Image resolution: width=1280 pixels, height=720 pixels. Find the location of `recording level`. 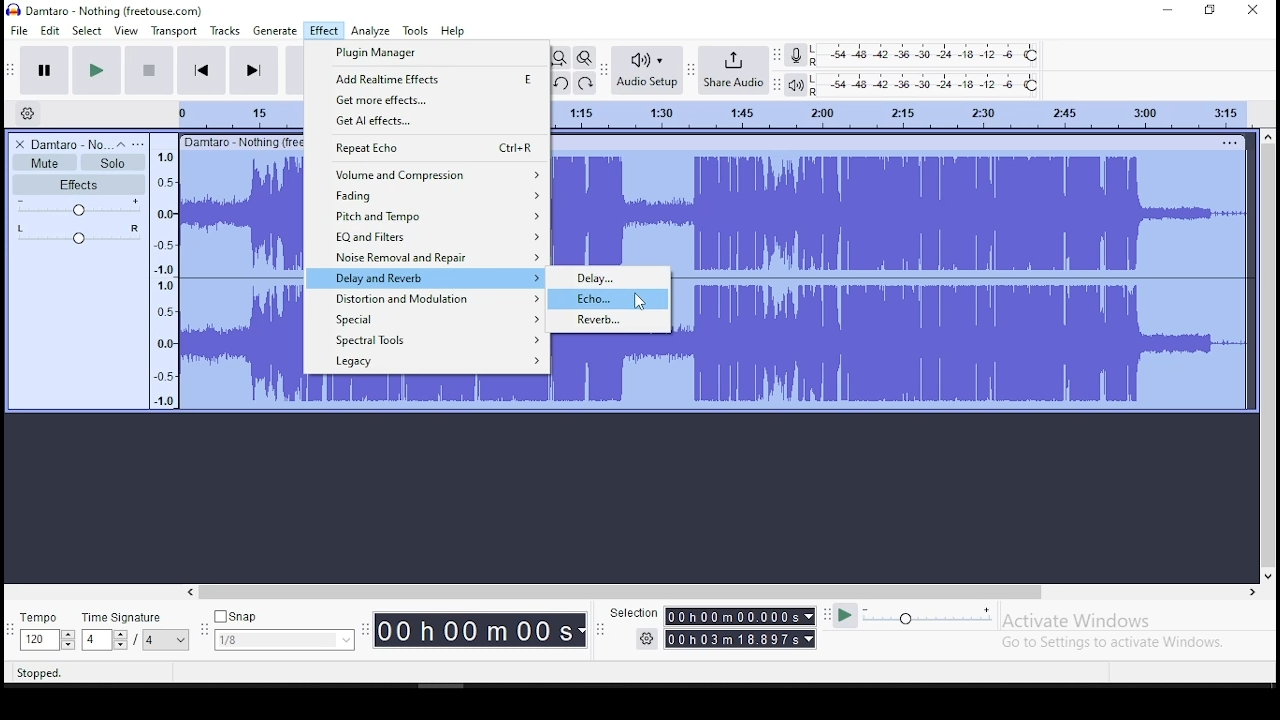

recording level is located at coordinates (925, 55).